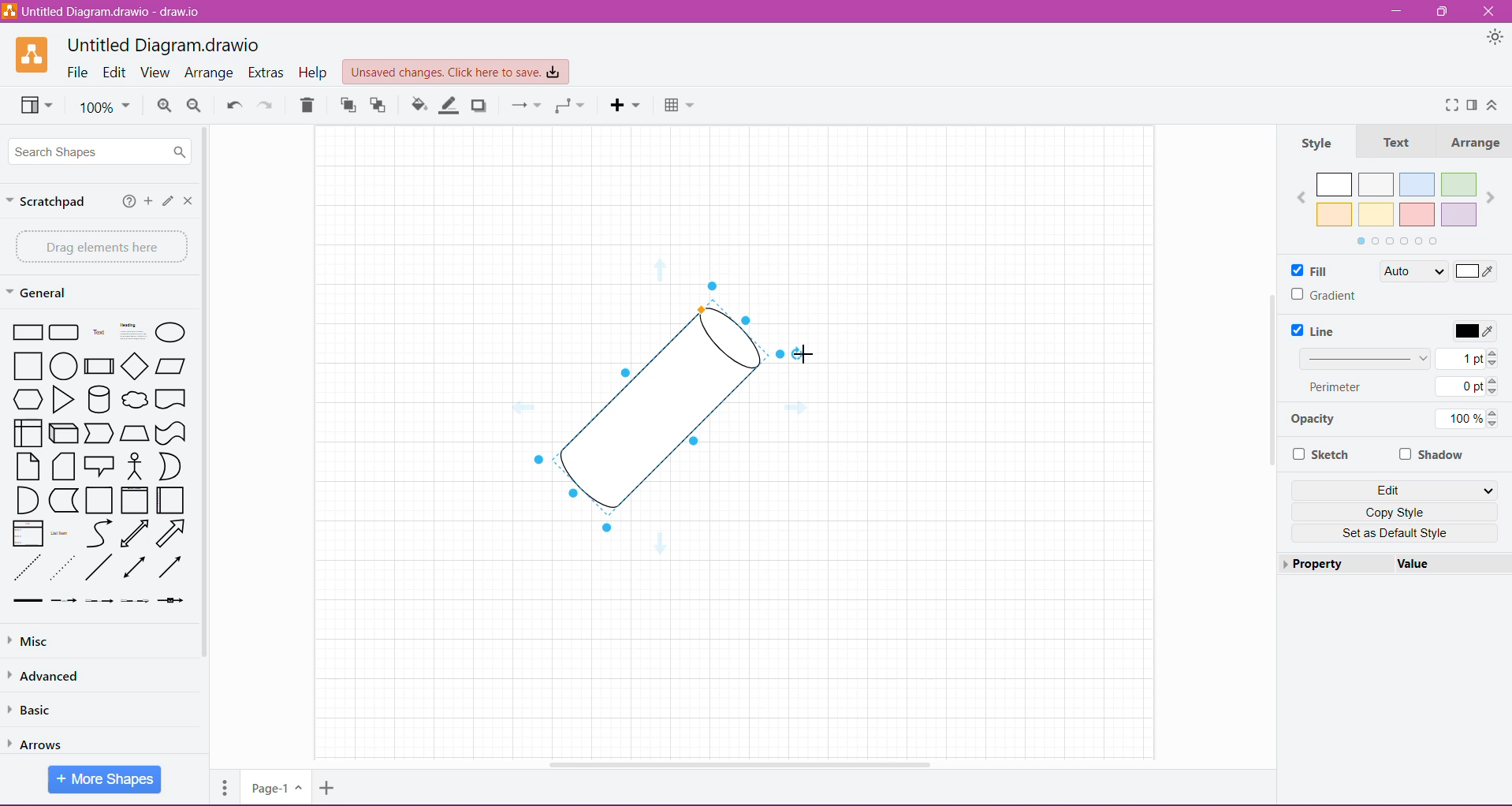 Image resolution: width=1512 pixels, height=806 pixels. What do you see at coordinates (453, 70) in the screenshot?
I see `Unsaved Changes. Click here to save` at bounding box center [453, 70].